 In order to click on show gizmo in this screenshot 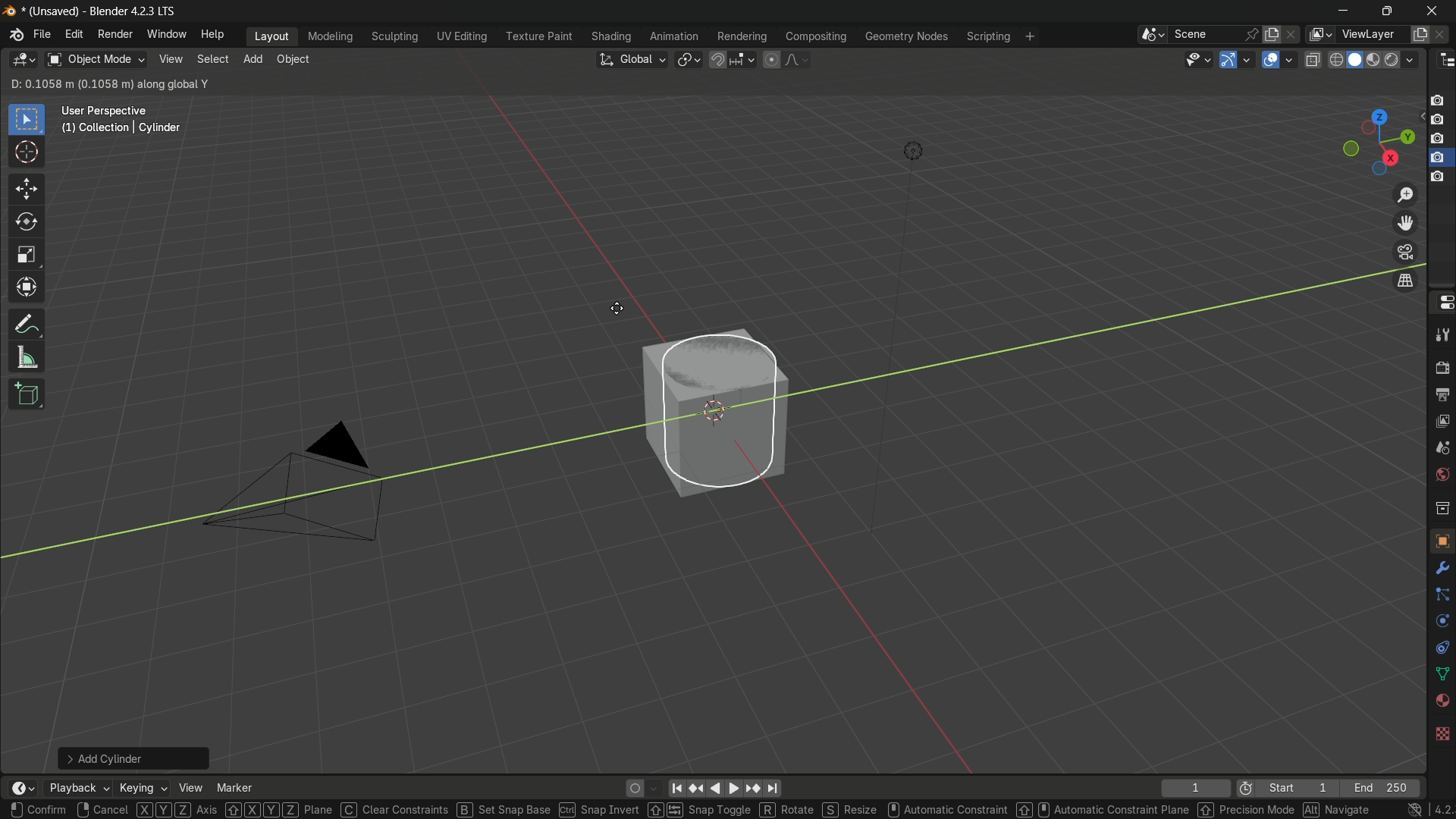, I will do `click(1227, 59)`.